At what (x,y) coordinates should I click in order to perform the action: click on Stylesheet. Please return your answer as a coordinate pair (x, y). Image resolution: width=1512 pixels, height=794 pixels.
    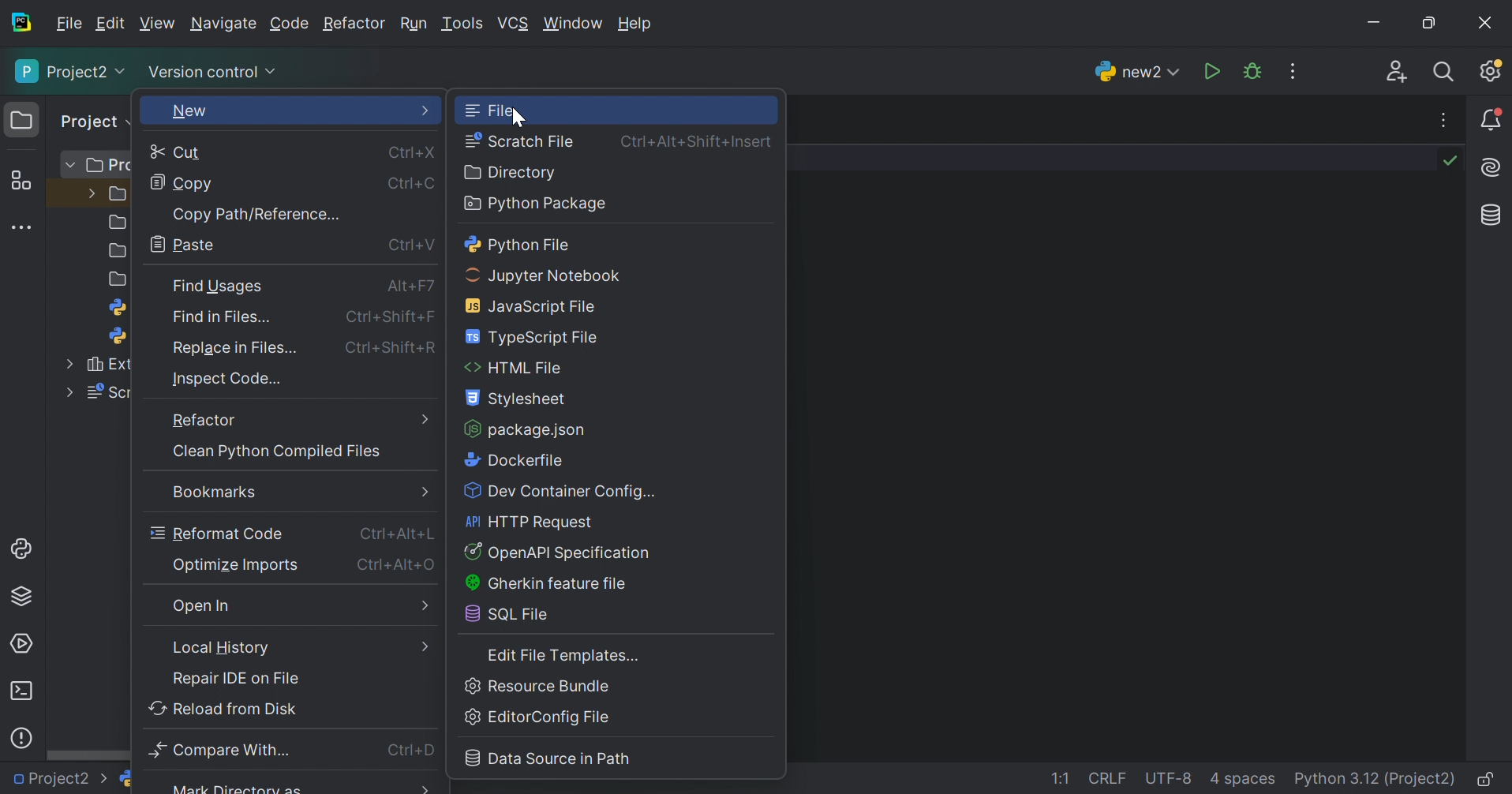
    Looking at the image, I should click on (518, 400).